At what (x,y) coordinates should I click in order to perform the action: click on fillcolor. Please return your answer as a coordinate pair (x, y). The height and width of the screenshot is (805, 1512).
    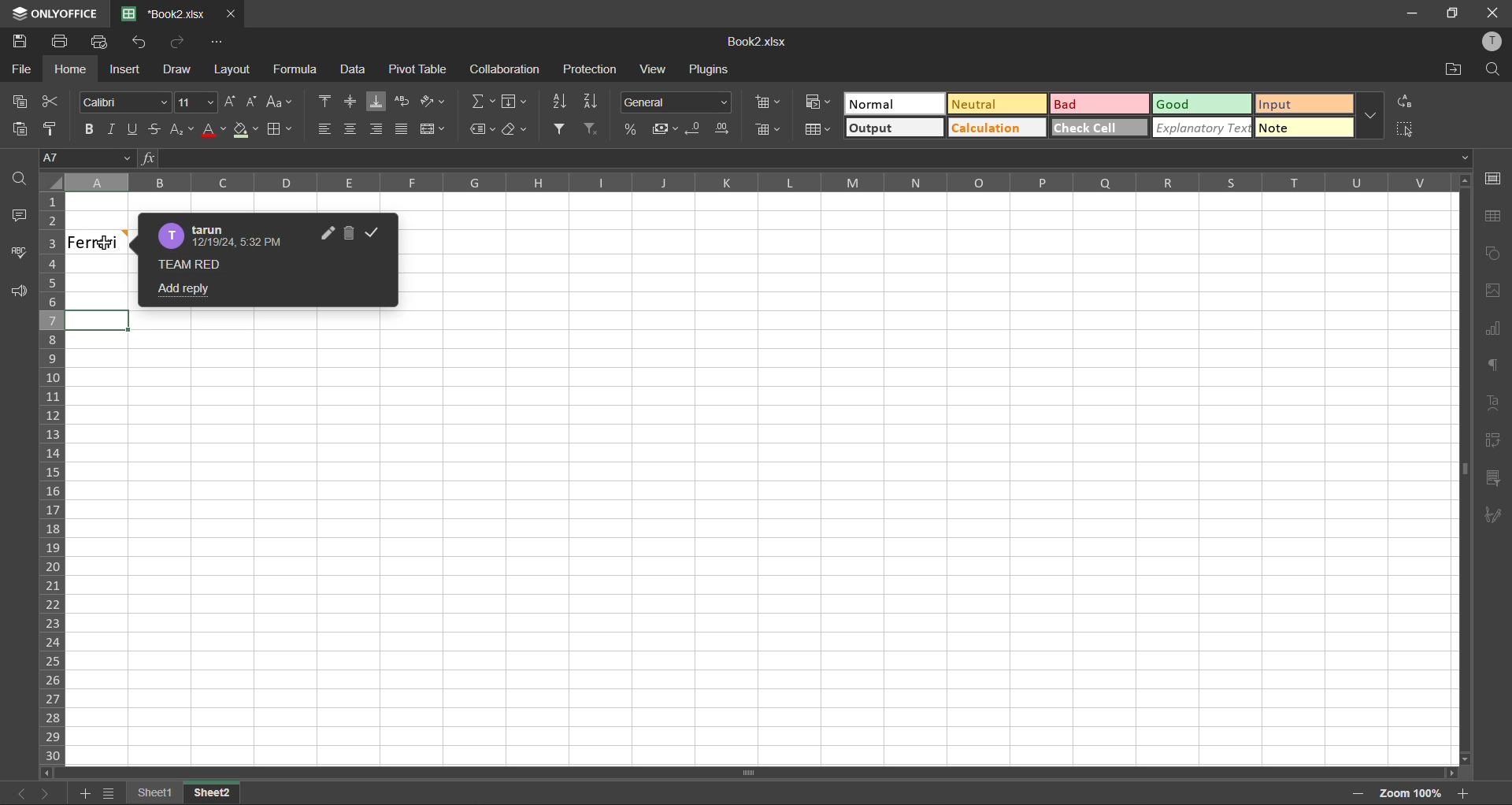
    Looking at the image, I should click on (244, 131).